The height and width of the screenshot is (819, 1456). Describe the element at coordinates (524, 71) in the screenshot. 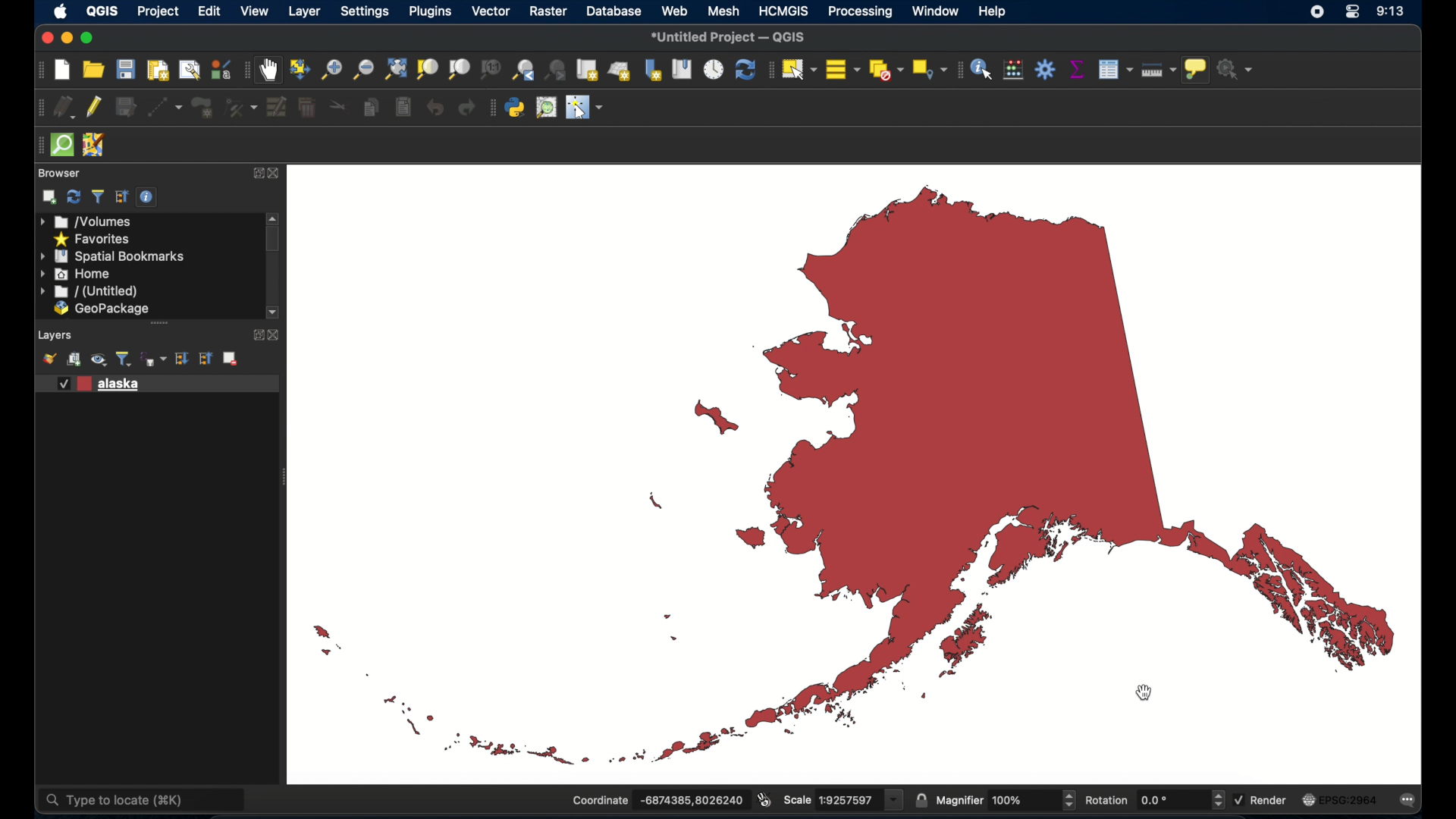

I see `zoom last` at that location.